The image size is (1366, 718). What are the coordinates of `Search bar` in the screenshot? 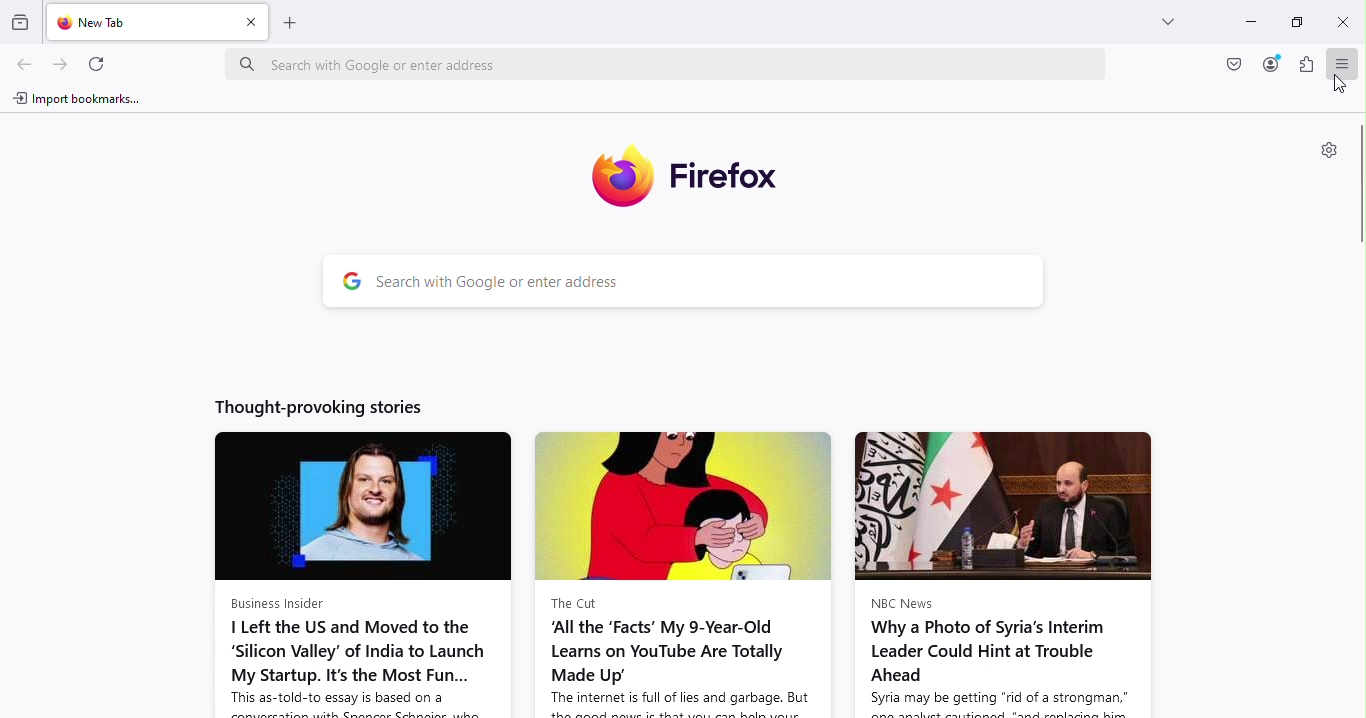 It's located at (668, 60).